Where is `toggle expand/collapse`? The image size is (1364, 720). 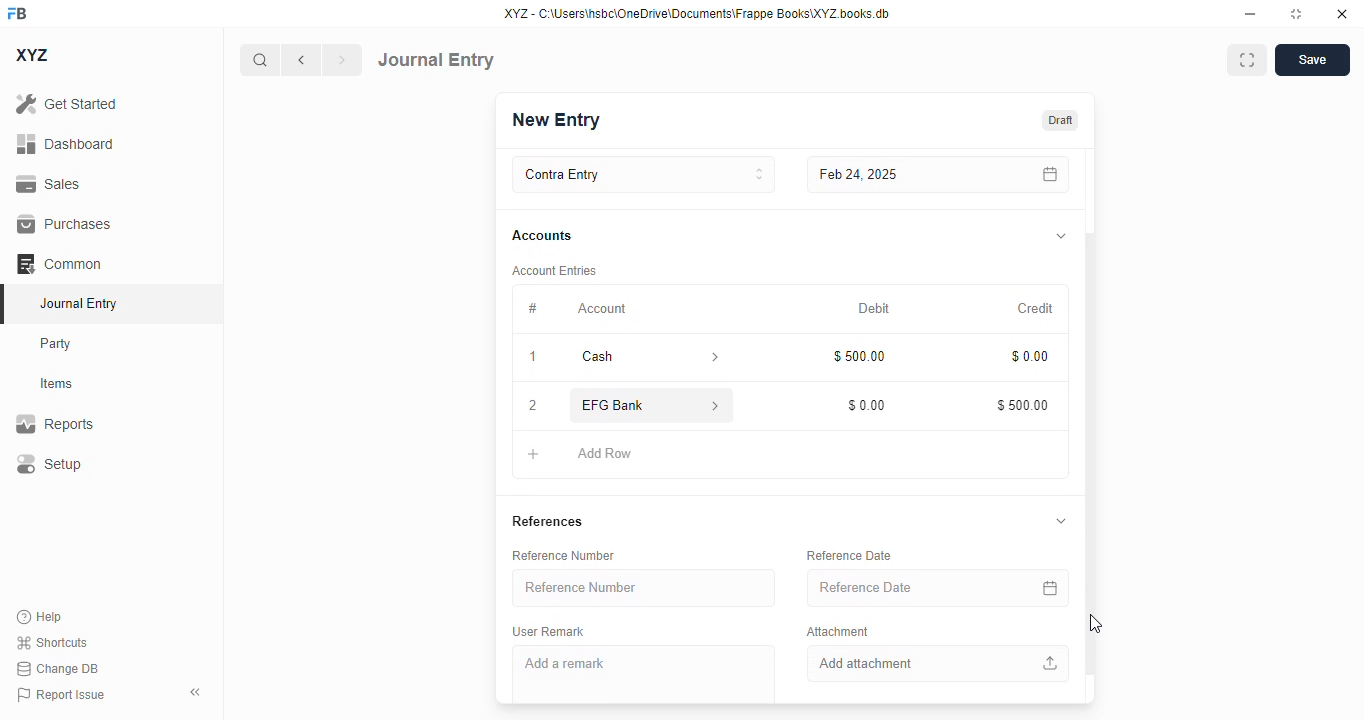
toggle expand/collapse is located at coordinates (1062, 522).